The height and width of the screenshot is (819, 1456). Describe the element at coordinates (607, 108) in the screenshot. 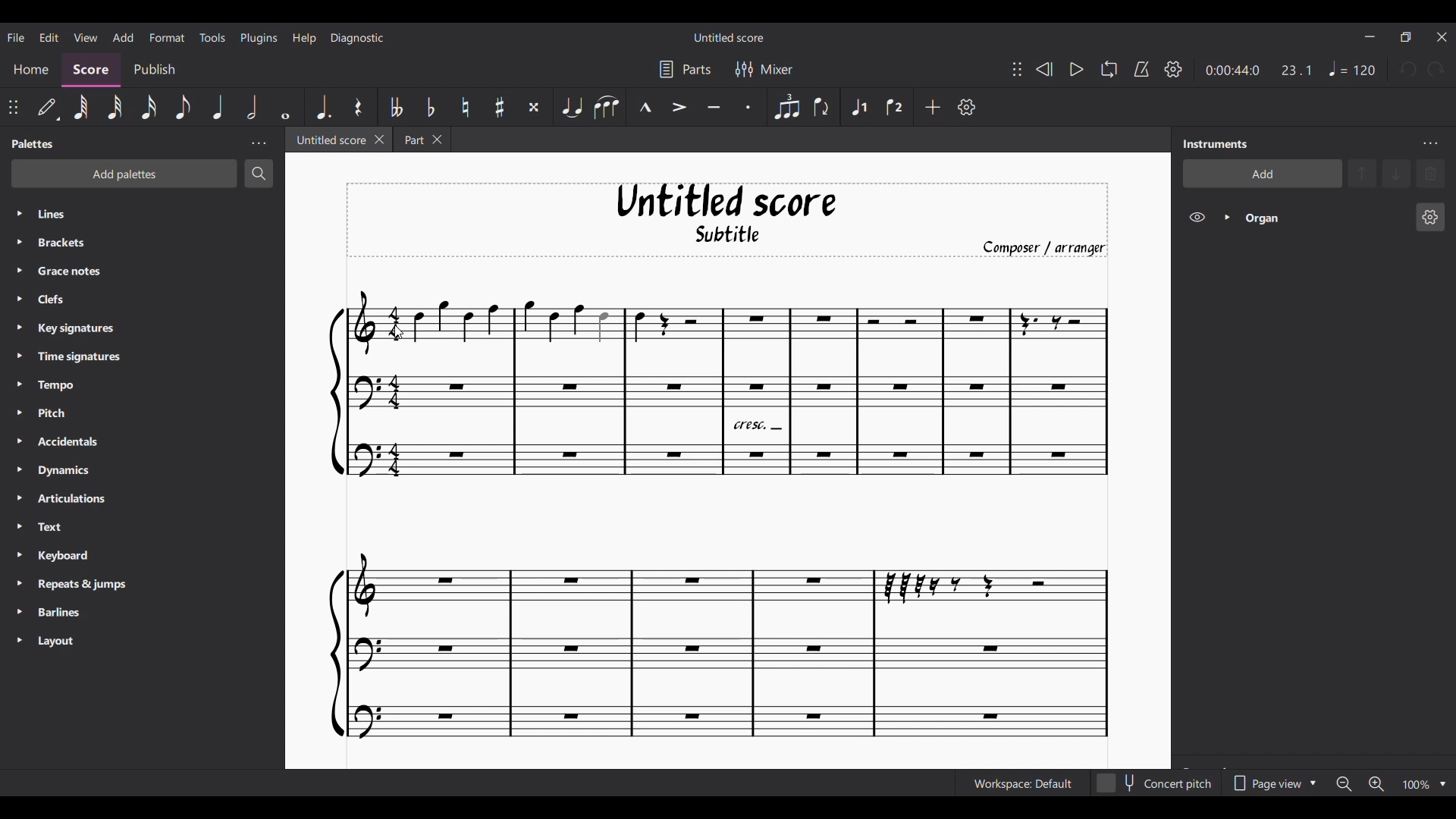

I see `Slur` at that location.